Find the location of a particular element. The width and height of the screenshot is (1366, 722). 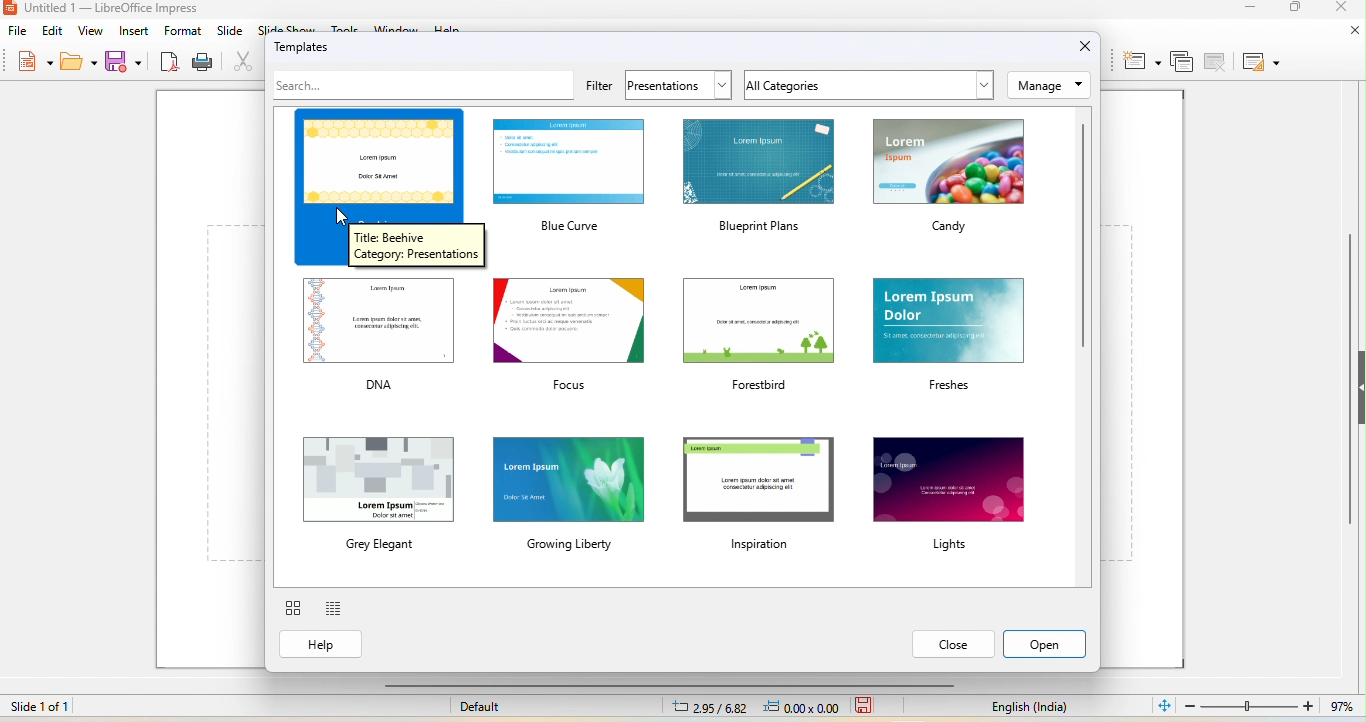

filter is located at coordinates (600, 87).